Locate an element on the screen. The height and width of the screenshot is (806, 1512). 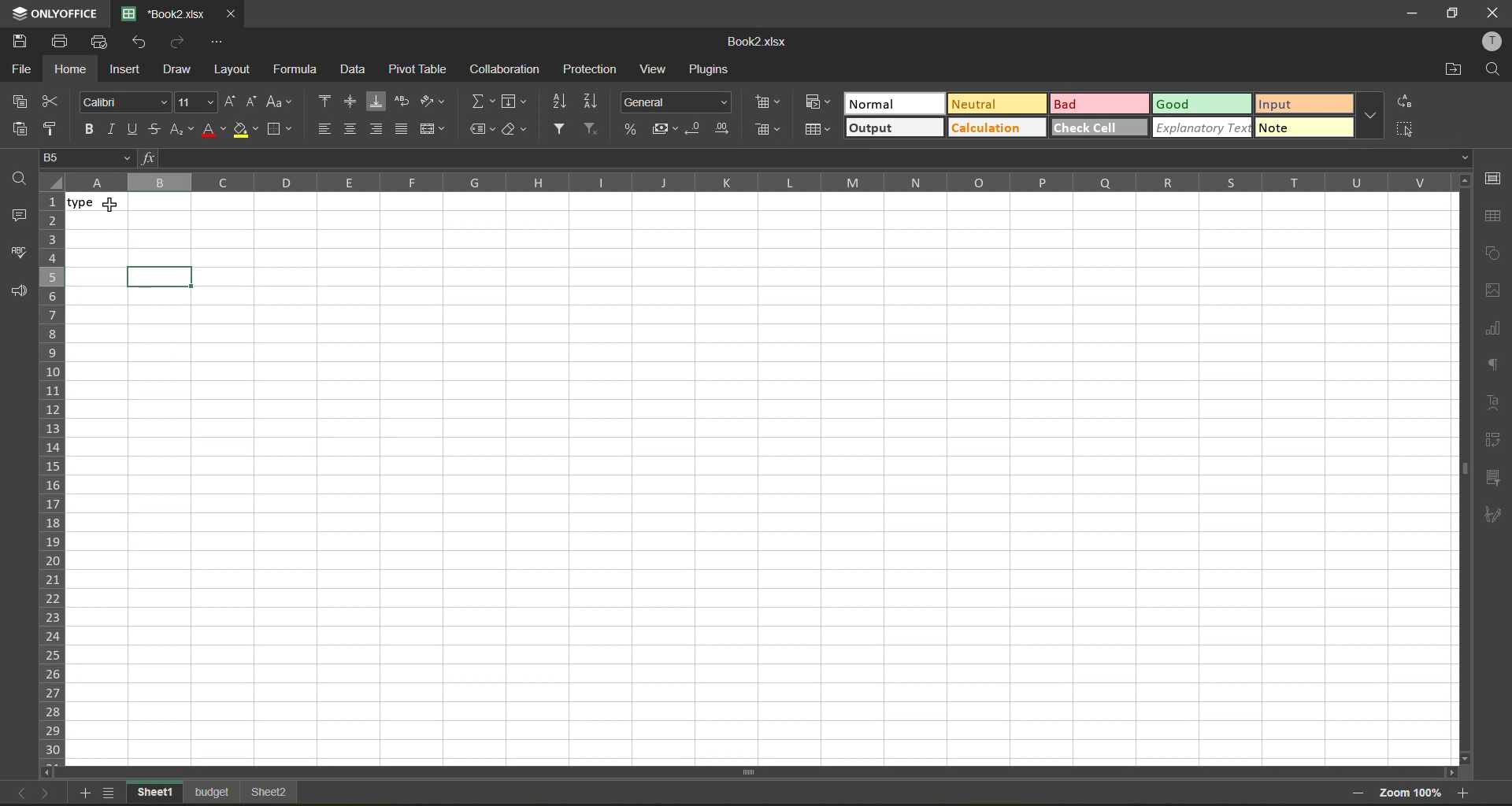
align middle is located at coordinates (354, 104).